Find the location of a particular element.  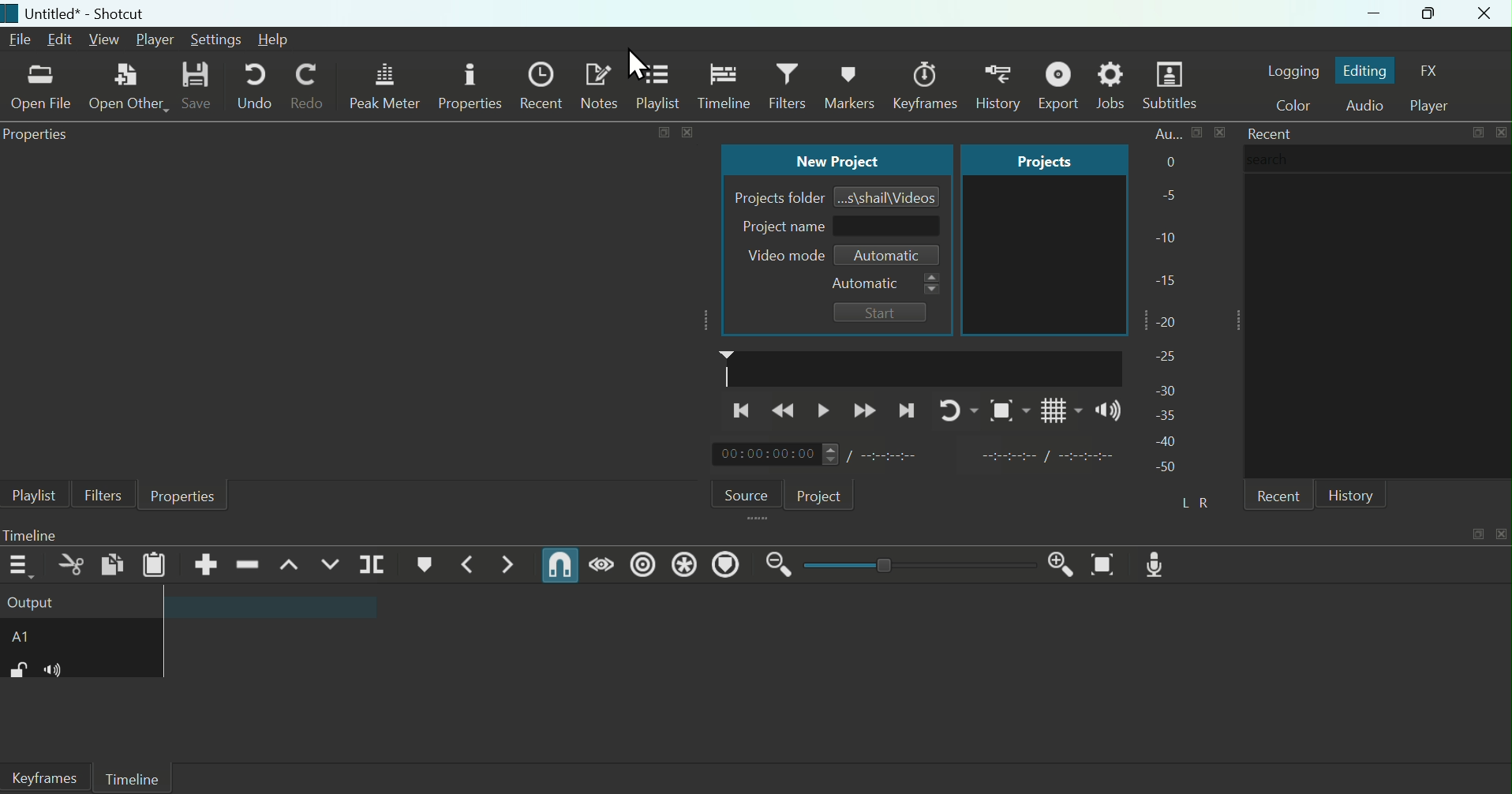

View is located at coordinates (106, 40).